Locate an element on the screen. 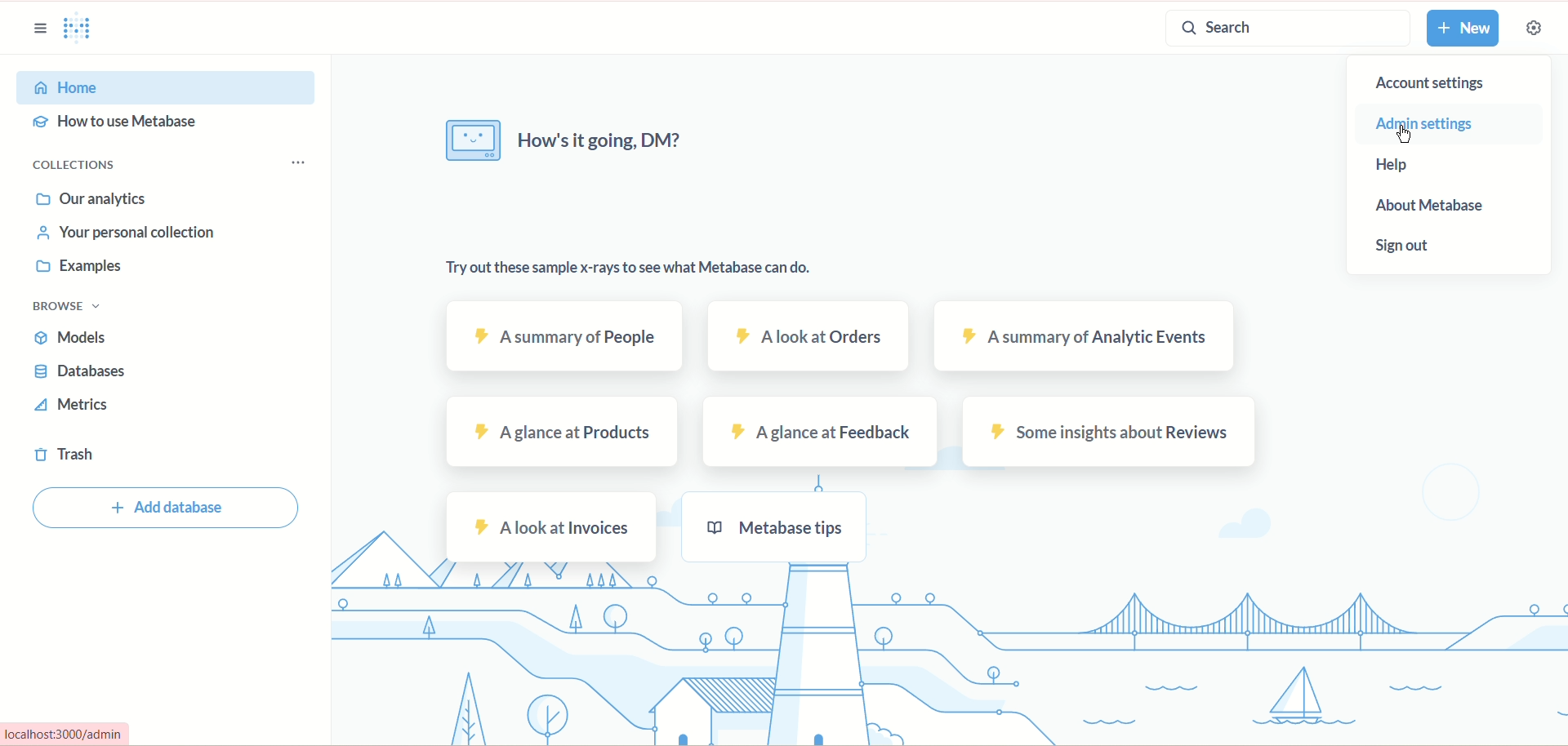 This screenshot has height=746, width=1568. try out these sample x-rays to see what metabase can do is located at coordinates (619, 269).